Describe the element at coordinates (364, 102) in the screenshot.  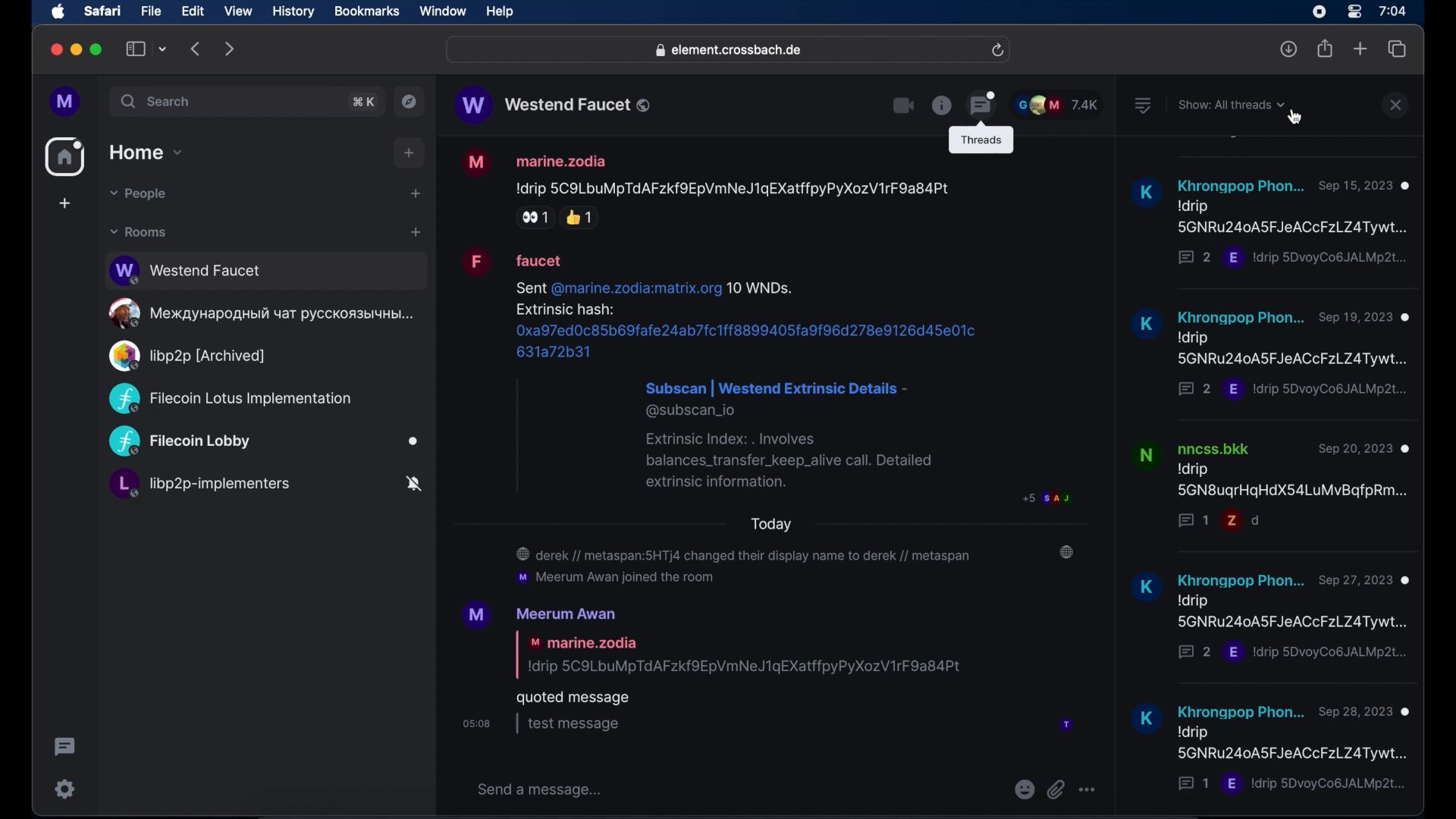
I see `search shortcut` at that location.